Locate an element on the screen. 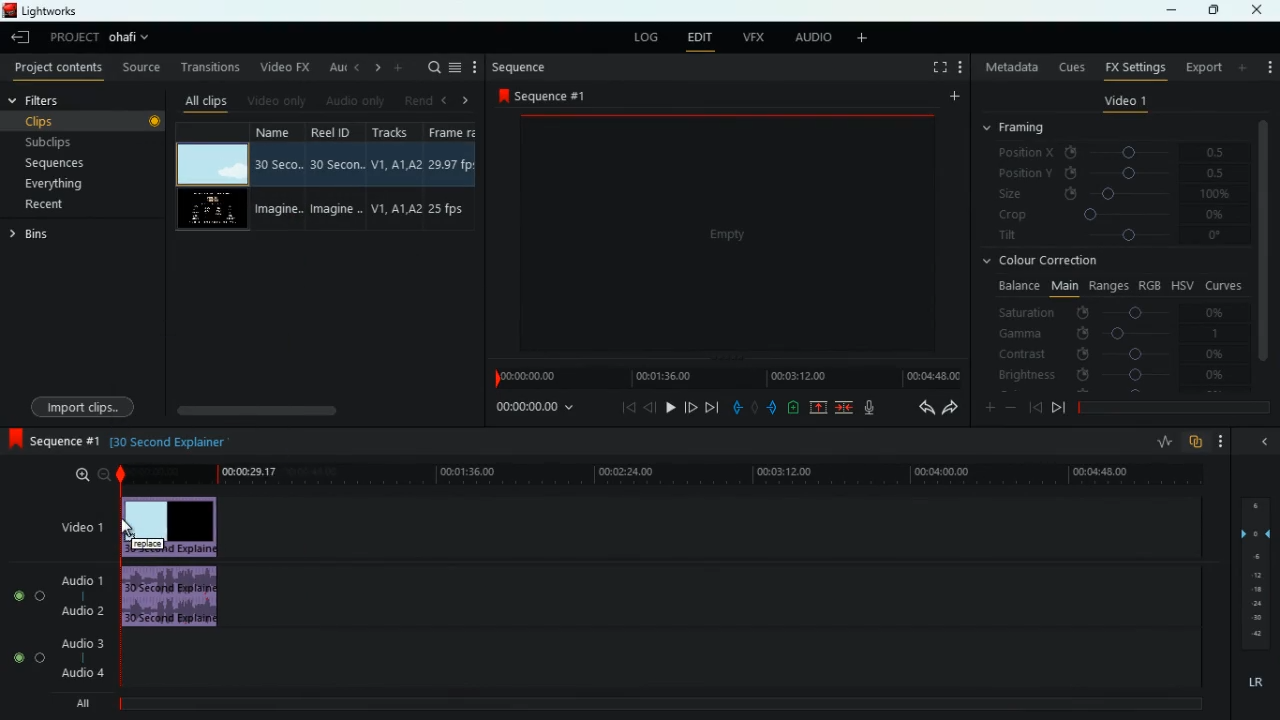  tracks is located at coordinates (392, 131).